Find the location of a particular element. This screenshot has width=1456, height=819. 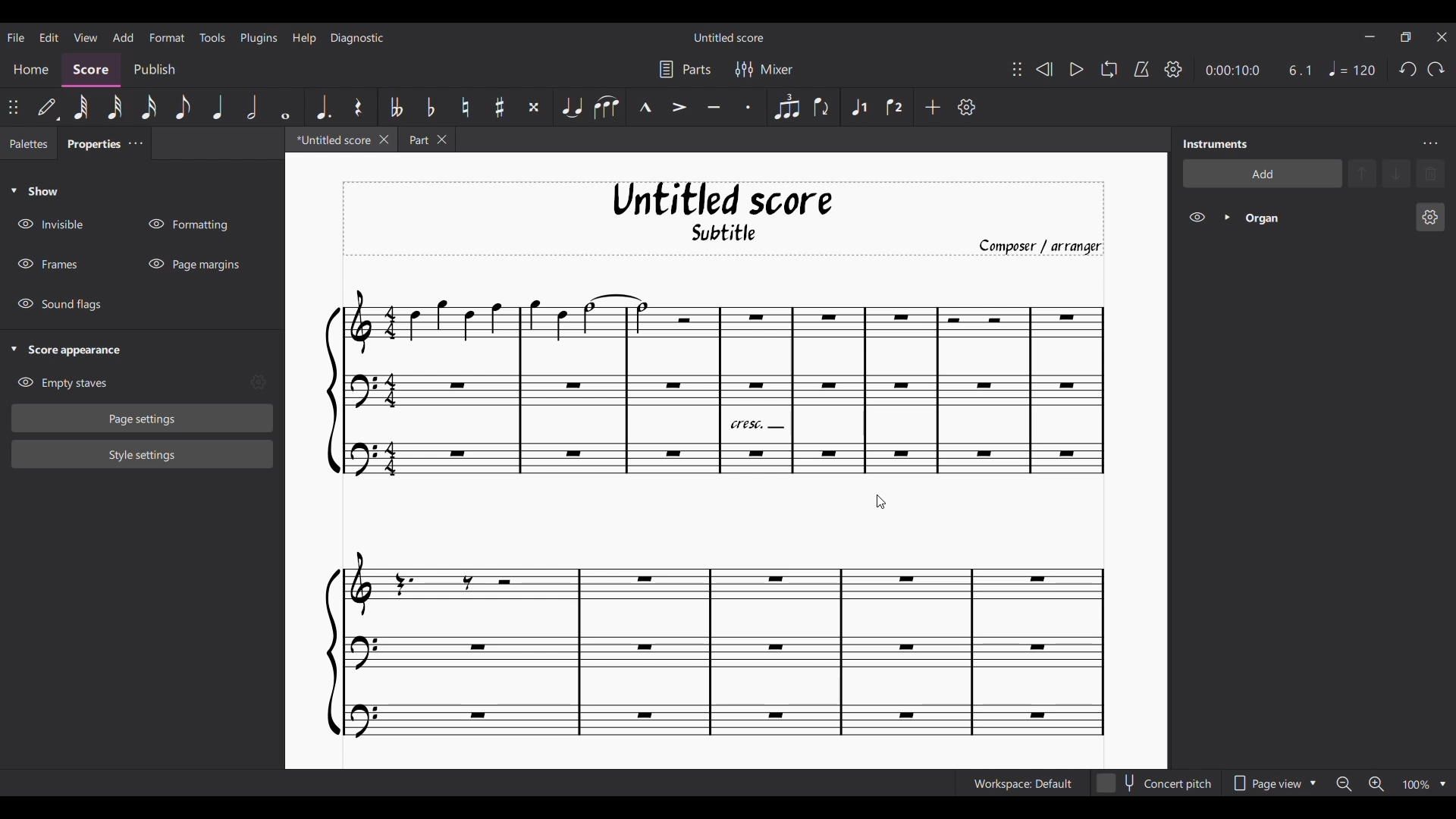

Score name is located at coordinates (730, 37).